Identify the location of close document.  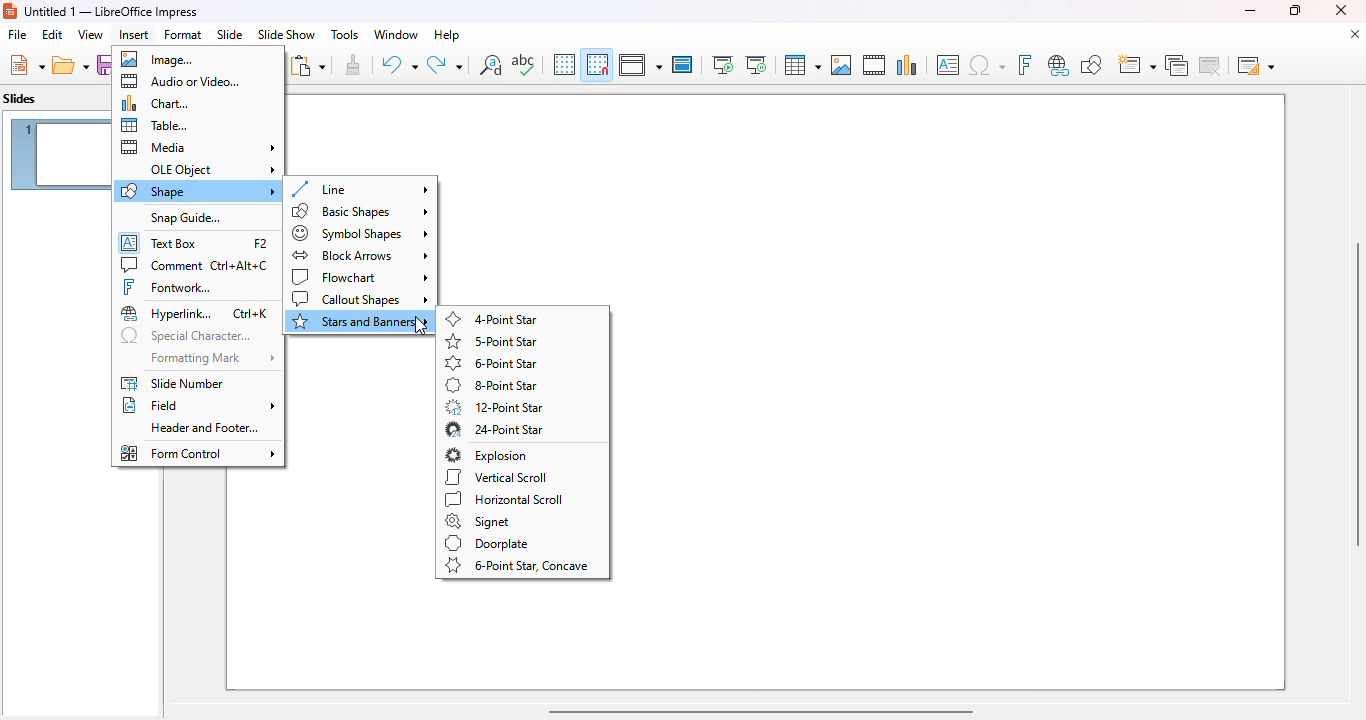
(1354, 34).